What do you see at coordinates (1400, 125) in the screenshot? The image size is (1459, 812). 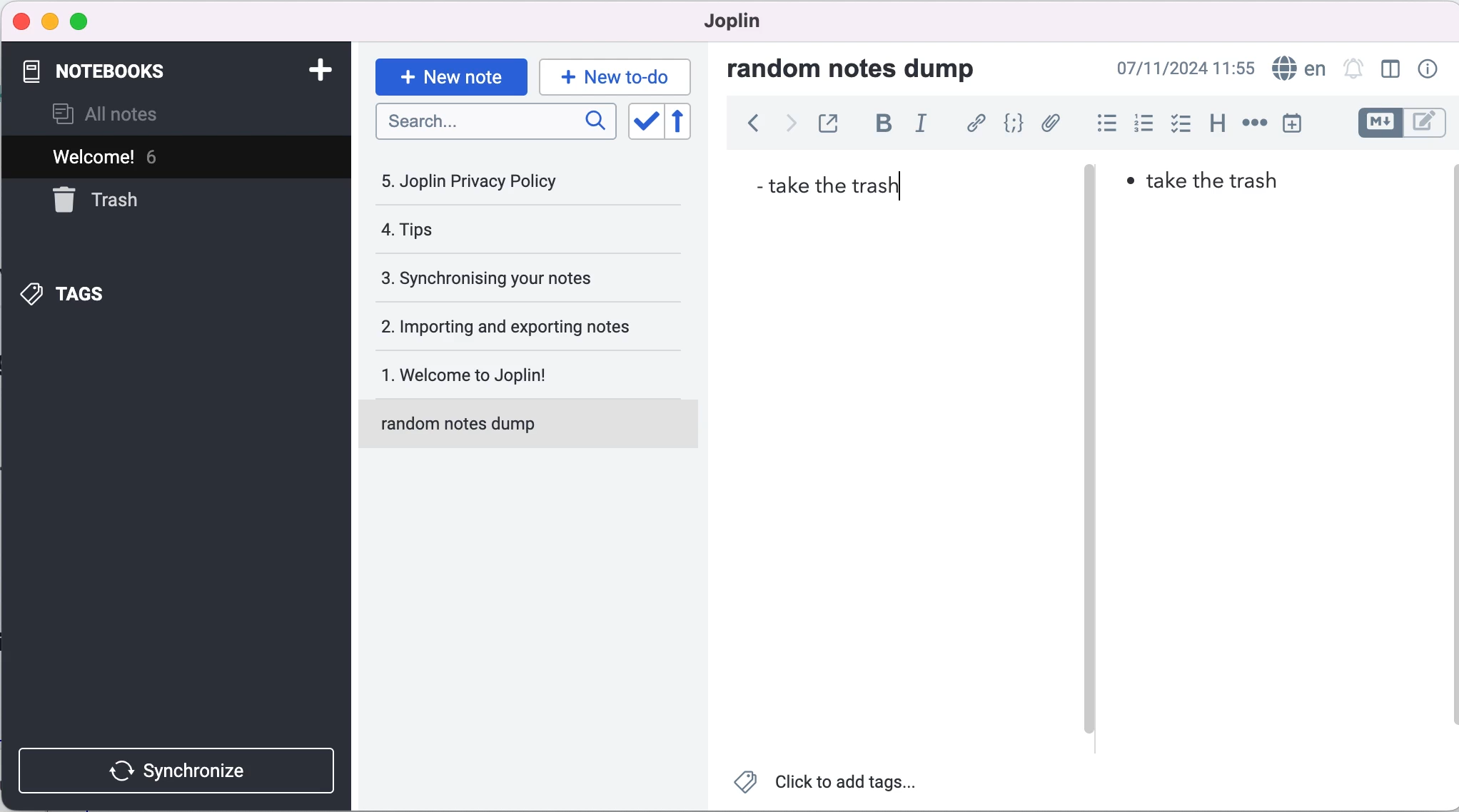 I see `toggle editors` at bounding box center [1400, 125].